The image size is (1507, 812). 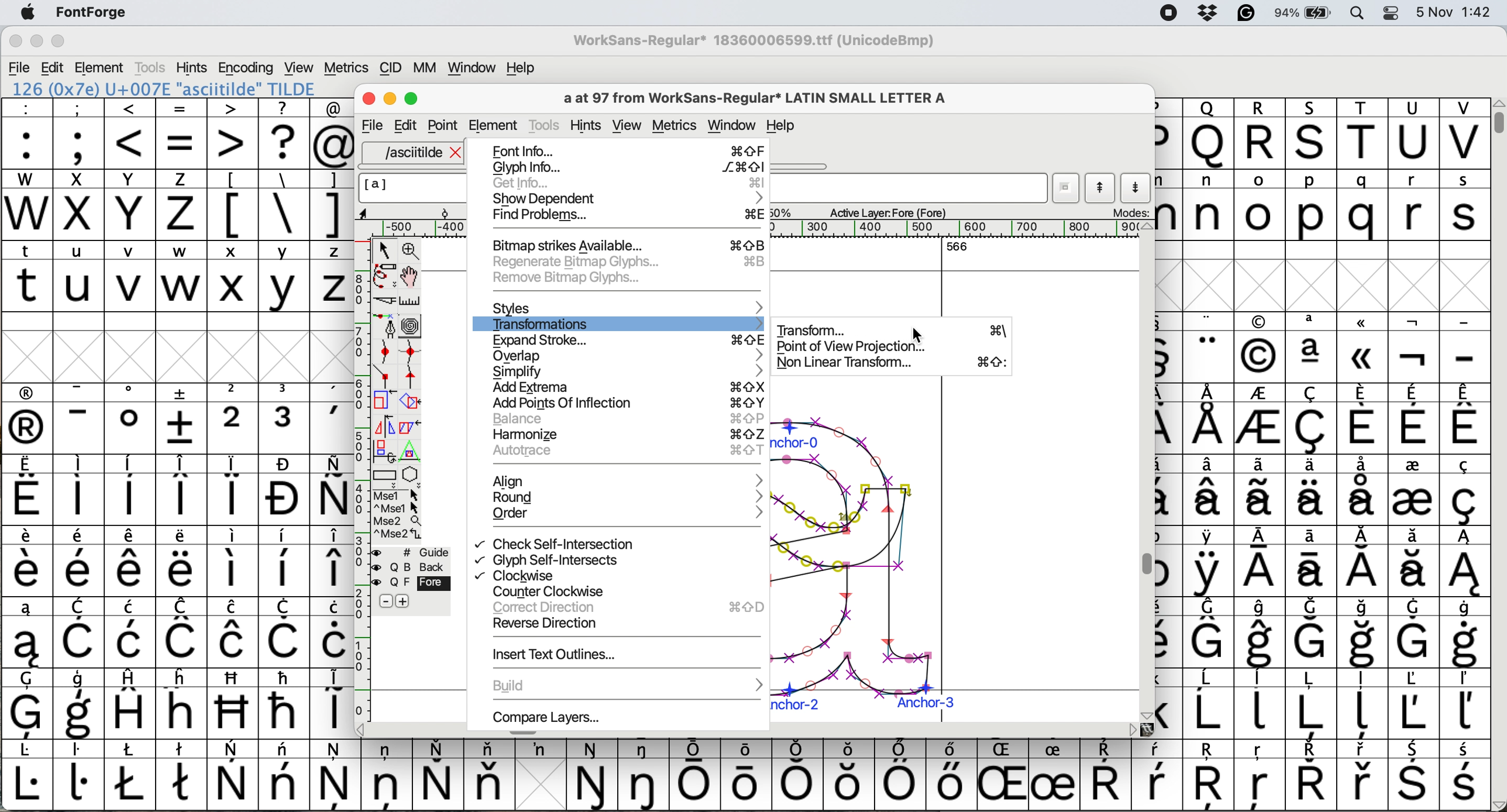 I want to click on Compare Layers, so click(x=623, y=714).